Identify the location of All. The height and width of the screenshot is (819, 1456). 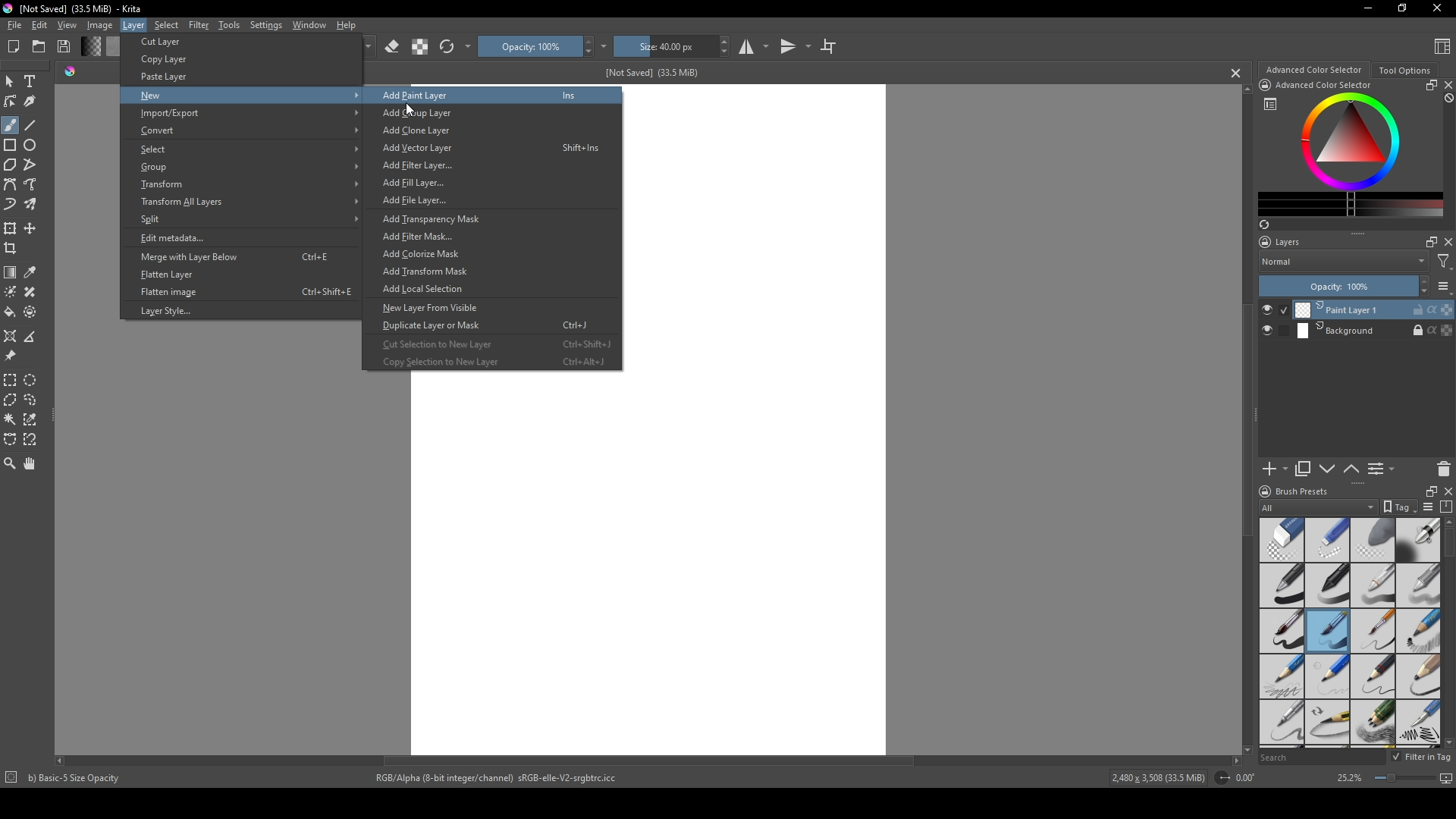
(1318, 507).